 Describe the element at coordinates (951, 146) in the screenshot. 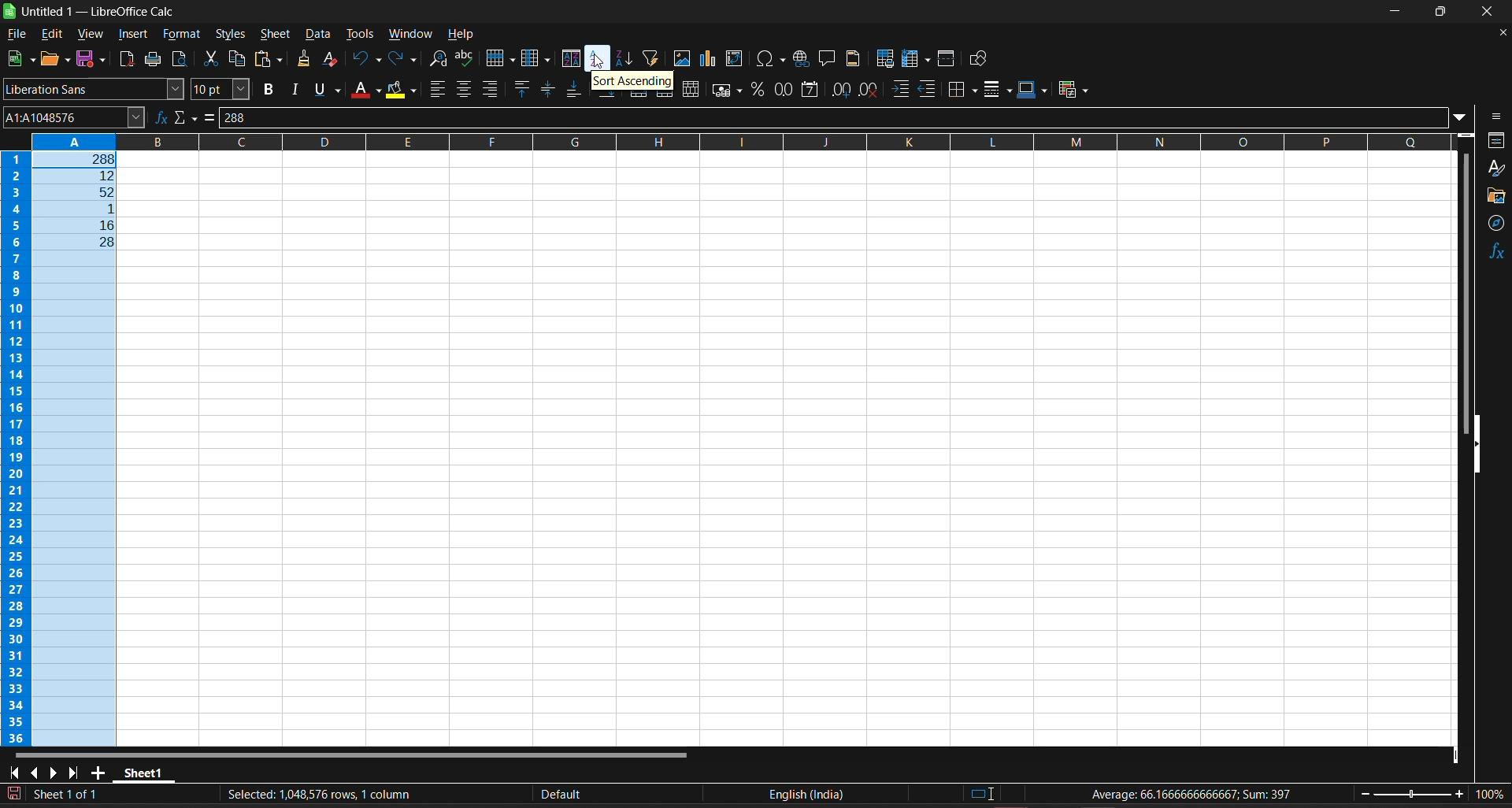

I see `column name` at that location.